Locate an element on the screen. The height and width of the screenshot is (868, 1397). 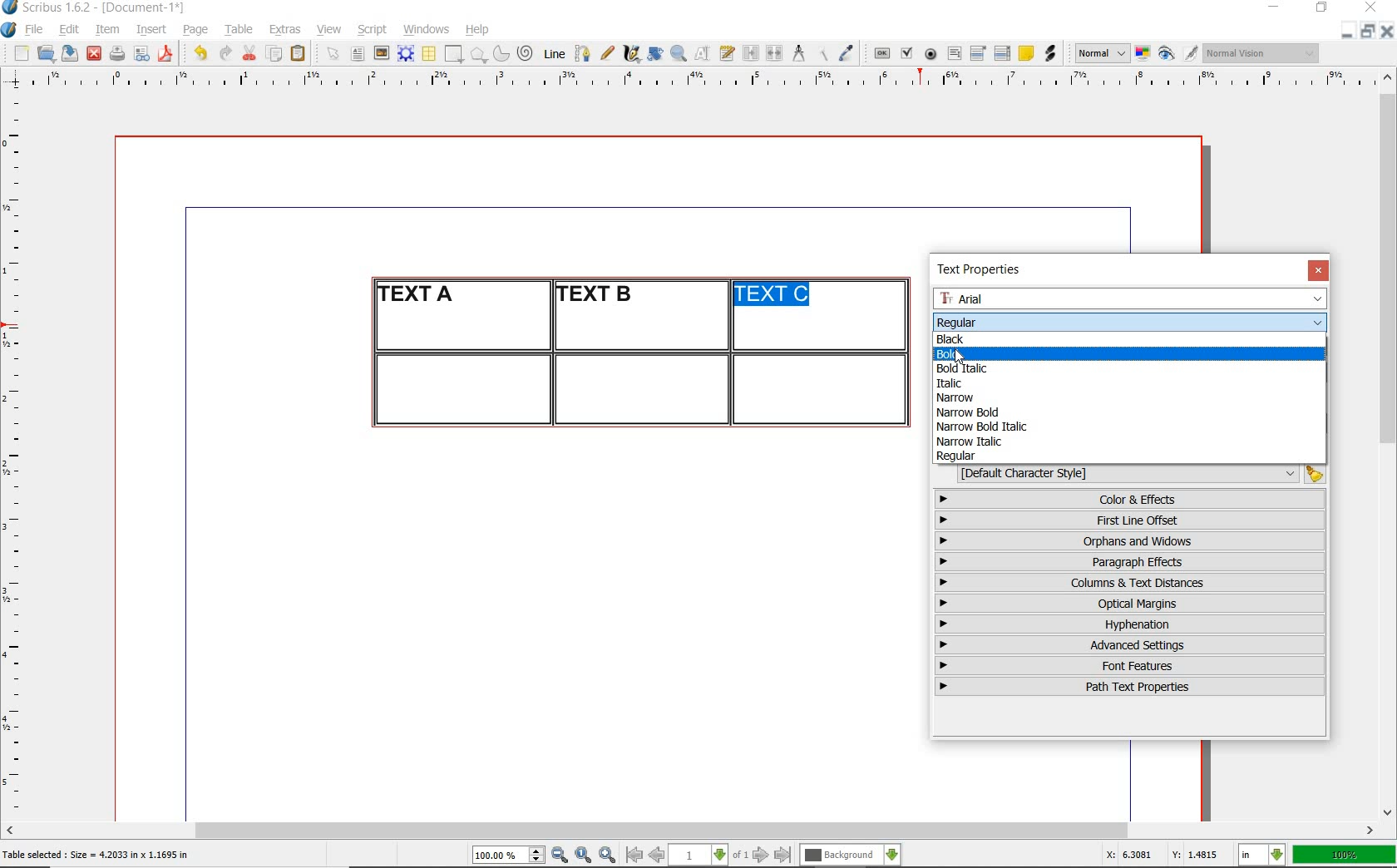
close is located at coordinates (1374, 7).